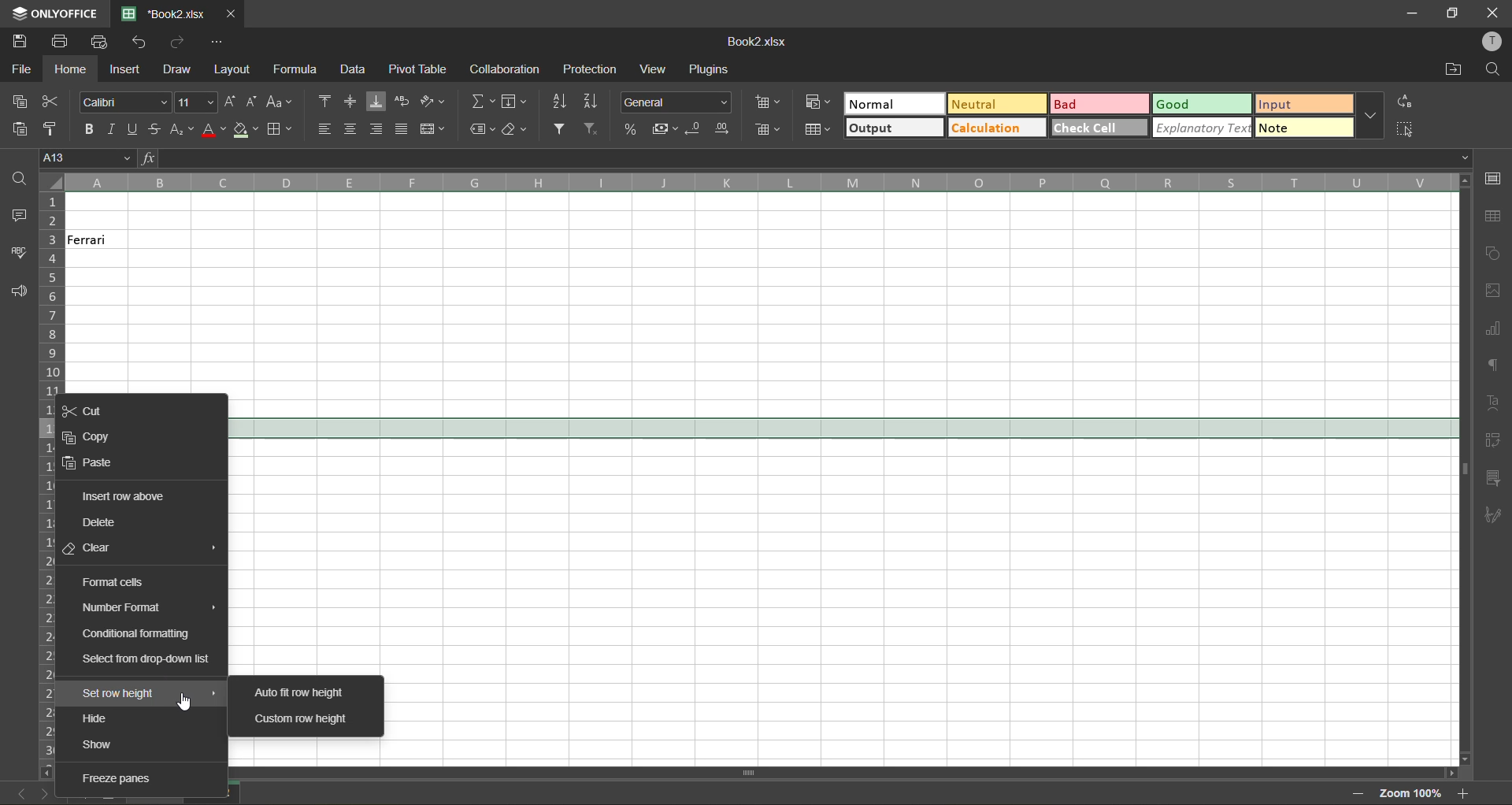 This screenshot has height=805, width=1512. Describe the element at coordinates (303, 719) in the screenshot. I see `custom row height` at that location.